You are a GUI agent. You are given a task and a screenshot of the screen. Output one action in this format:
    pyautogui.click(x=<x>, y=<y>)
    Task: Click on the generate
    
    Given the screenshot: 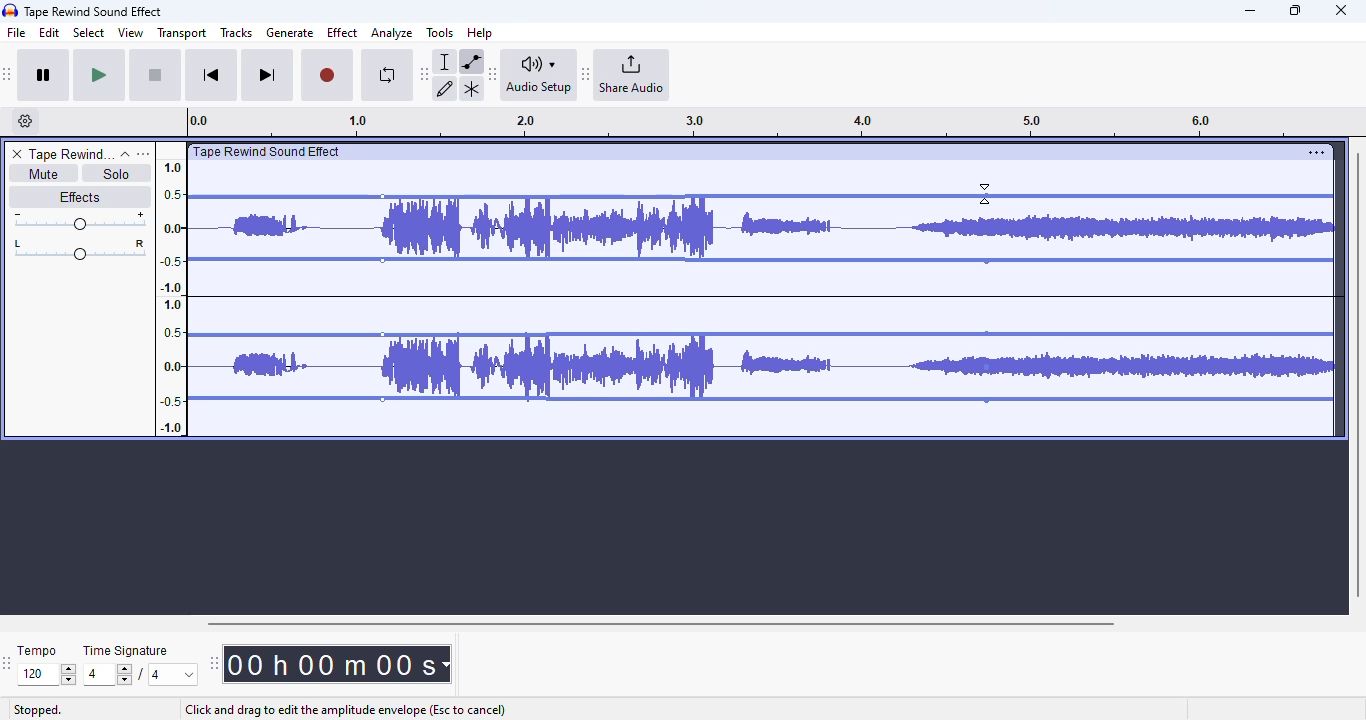 What is the action you would take?
    pyautogui.click(x=290, y=33)
    